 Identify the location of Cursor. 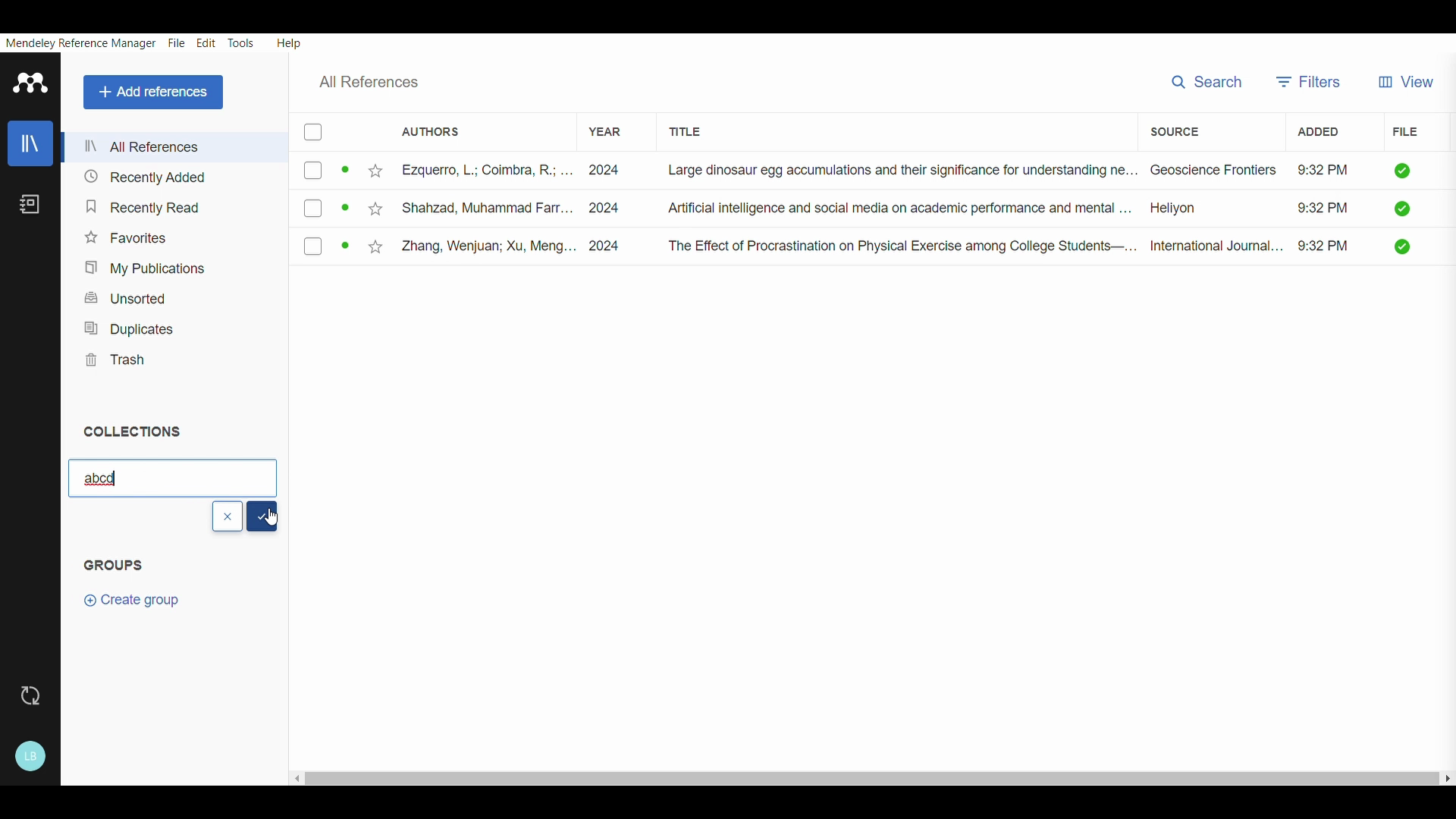
(276, 519).